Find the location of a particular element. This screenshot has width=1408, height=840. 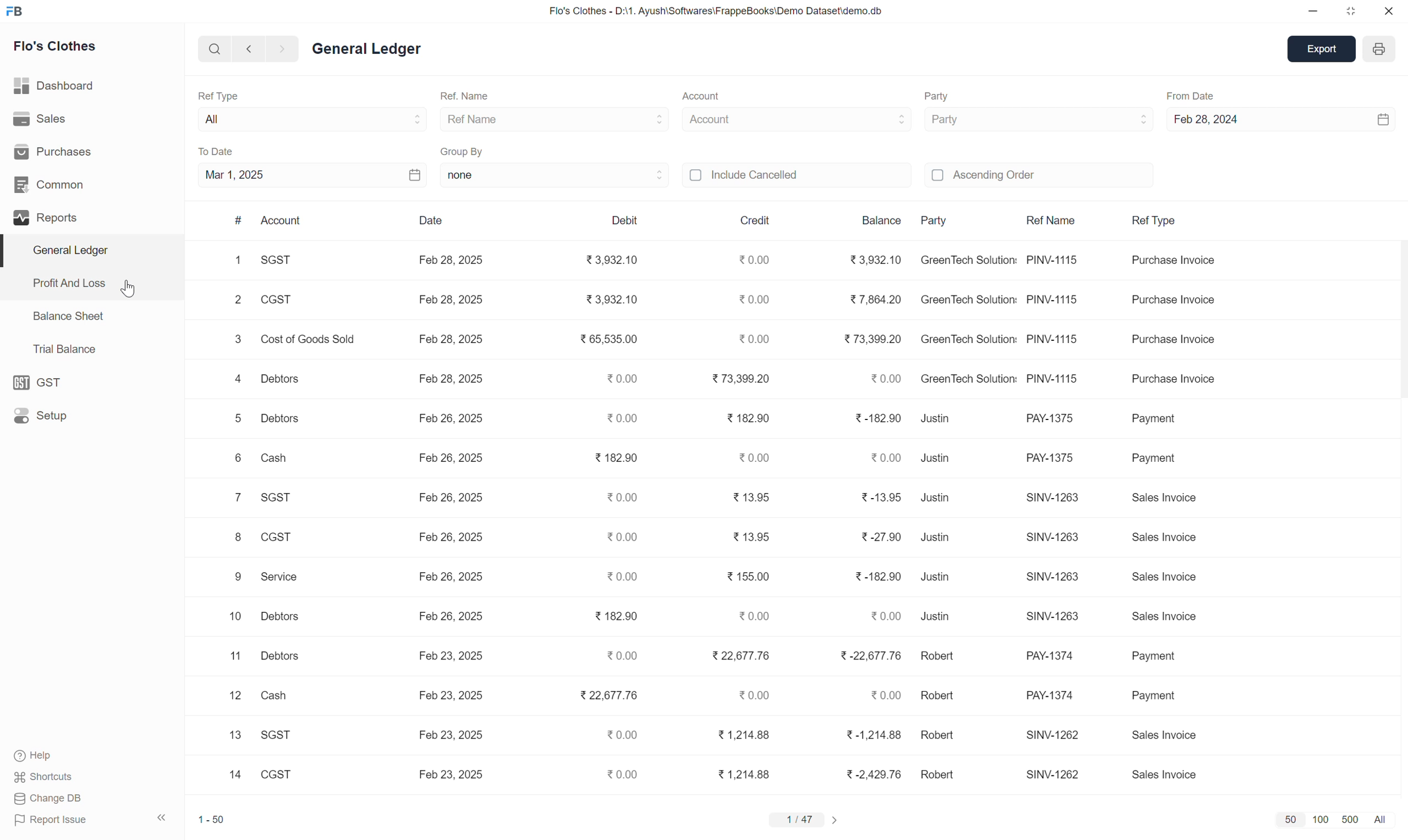

Account is located at coordinates (284, 217).